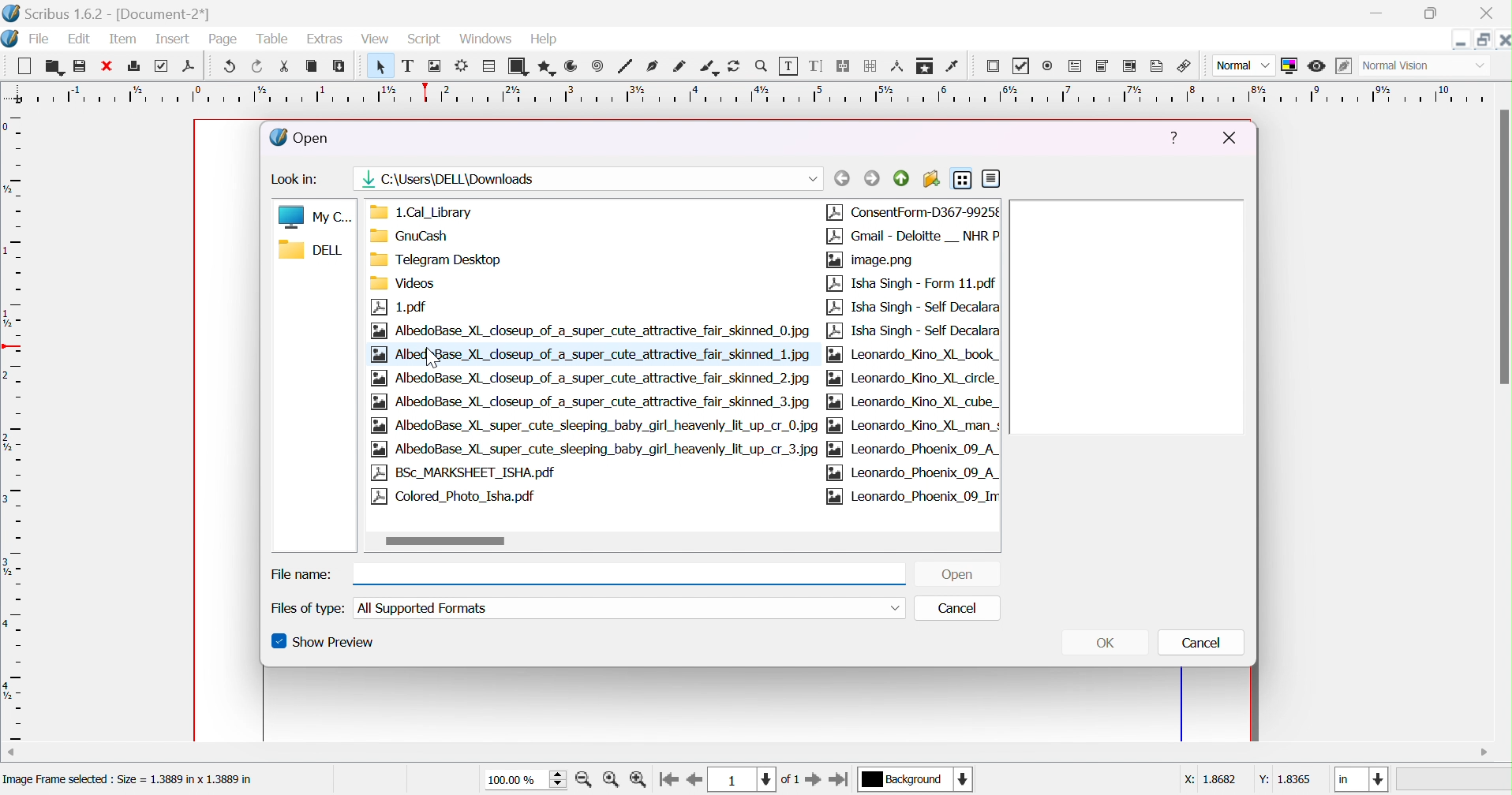 This screenshot has height=795, width=1512. Describe the element at coordinates (546, 38) in the screenshot. I see `help` at that location.